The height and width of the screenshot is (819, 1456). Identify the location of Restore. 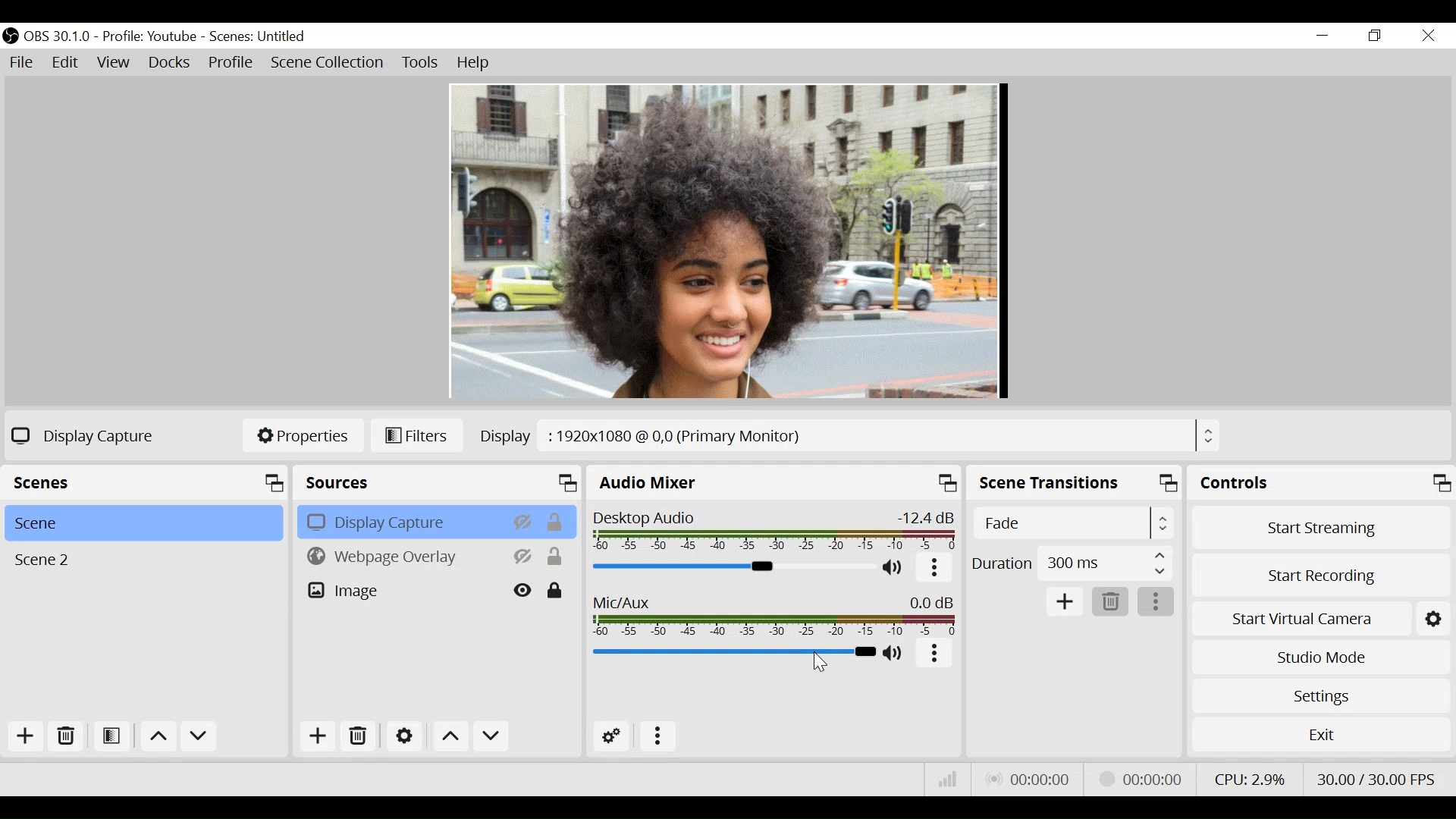
(1373, 35).